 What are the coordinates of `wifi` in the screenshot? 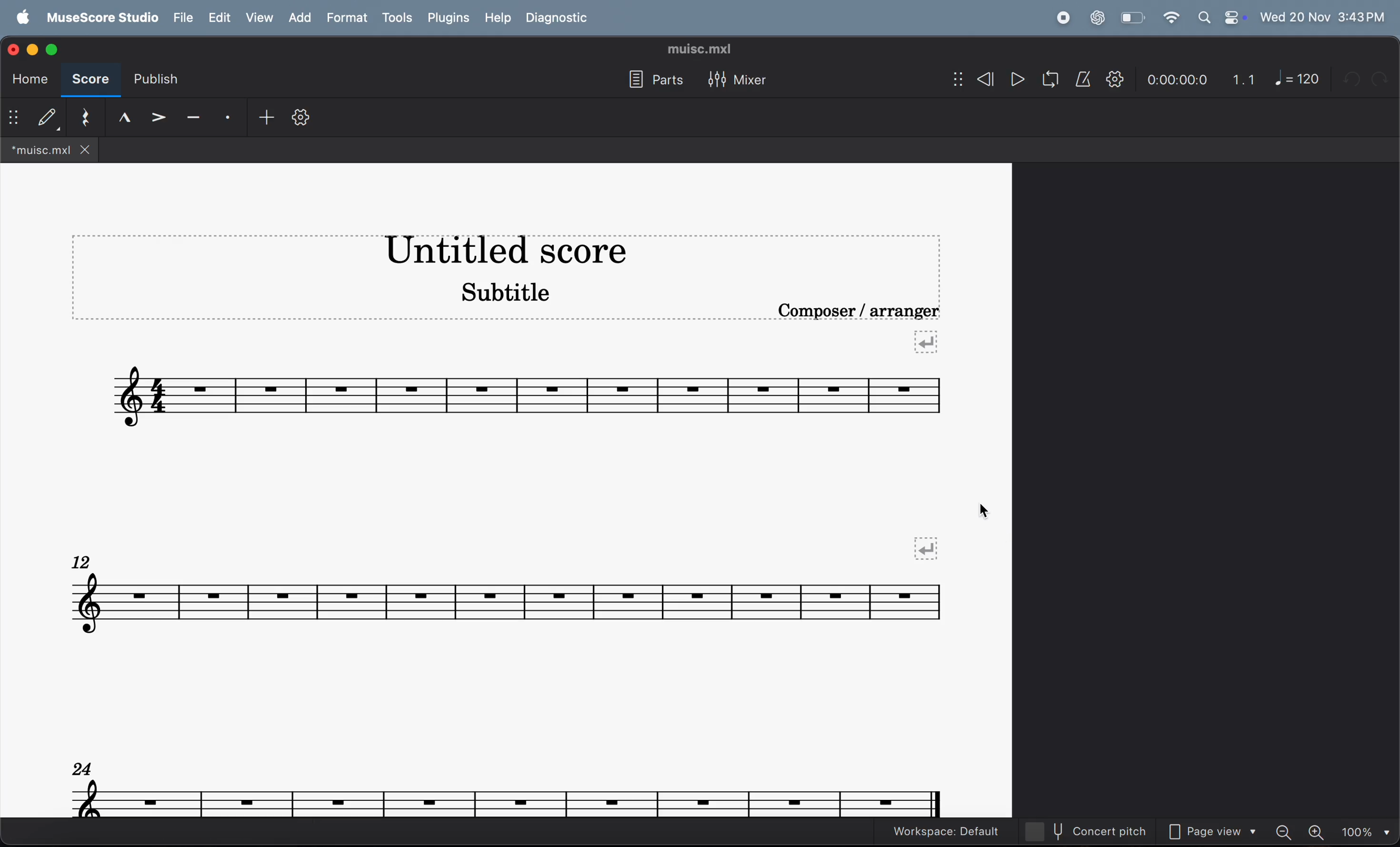 It's located at (1171, 18).